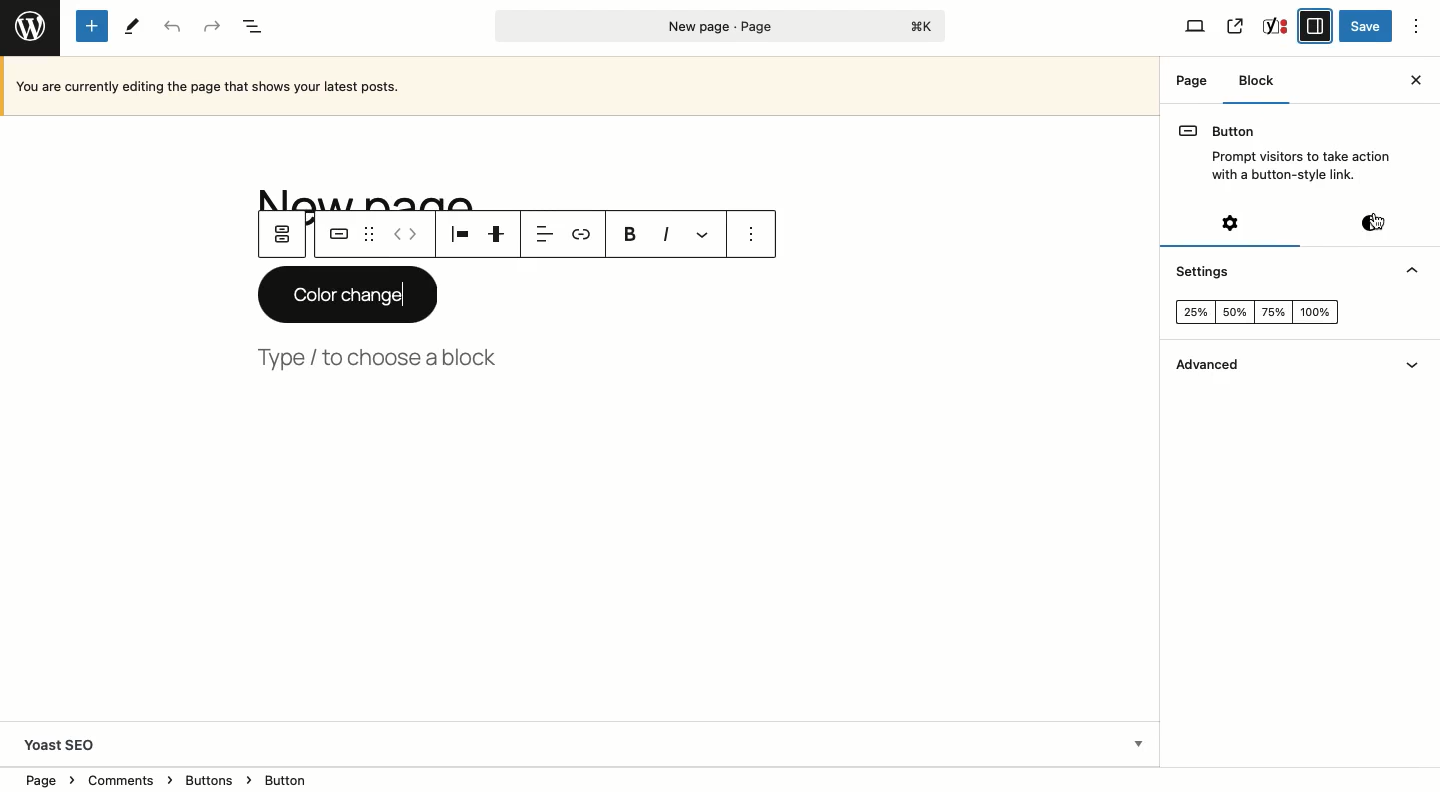 The height and width of the screenshot is (792, 1440). Describe the element at coordinates (1412, 272) in the screenshot. I see `Hide` at that location.